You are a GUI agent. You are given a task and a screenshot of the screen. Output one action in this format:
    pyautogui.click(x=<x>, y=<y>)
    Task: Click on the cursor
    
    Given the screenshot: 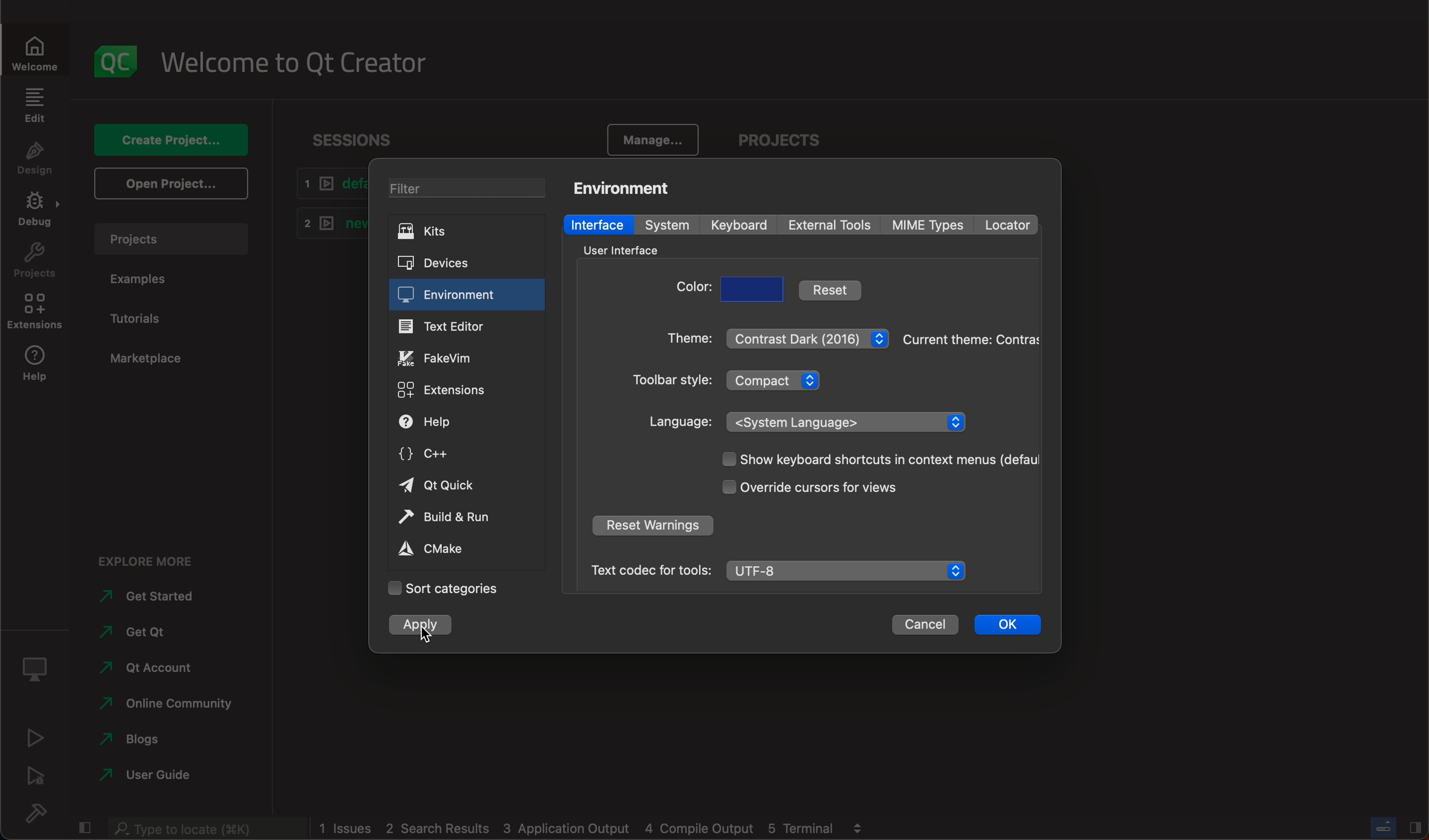 What is the action you would take?
    pyautogui.click(x=831, y=487)
    